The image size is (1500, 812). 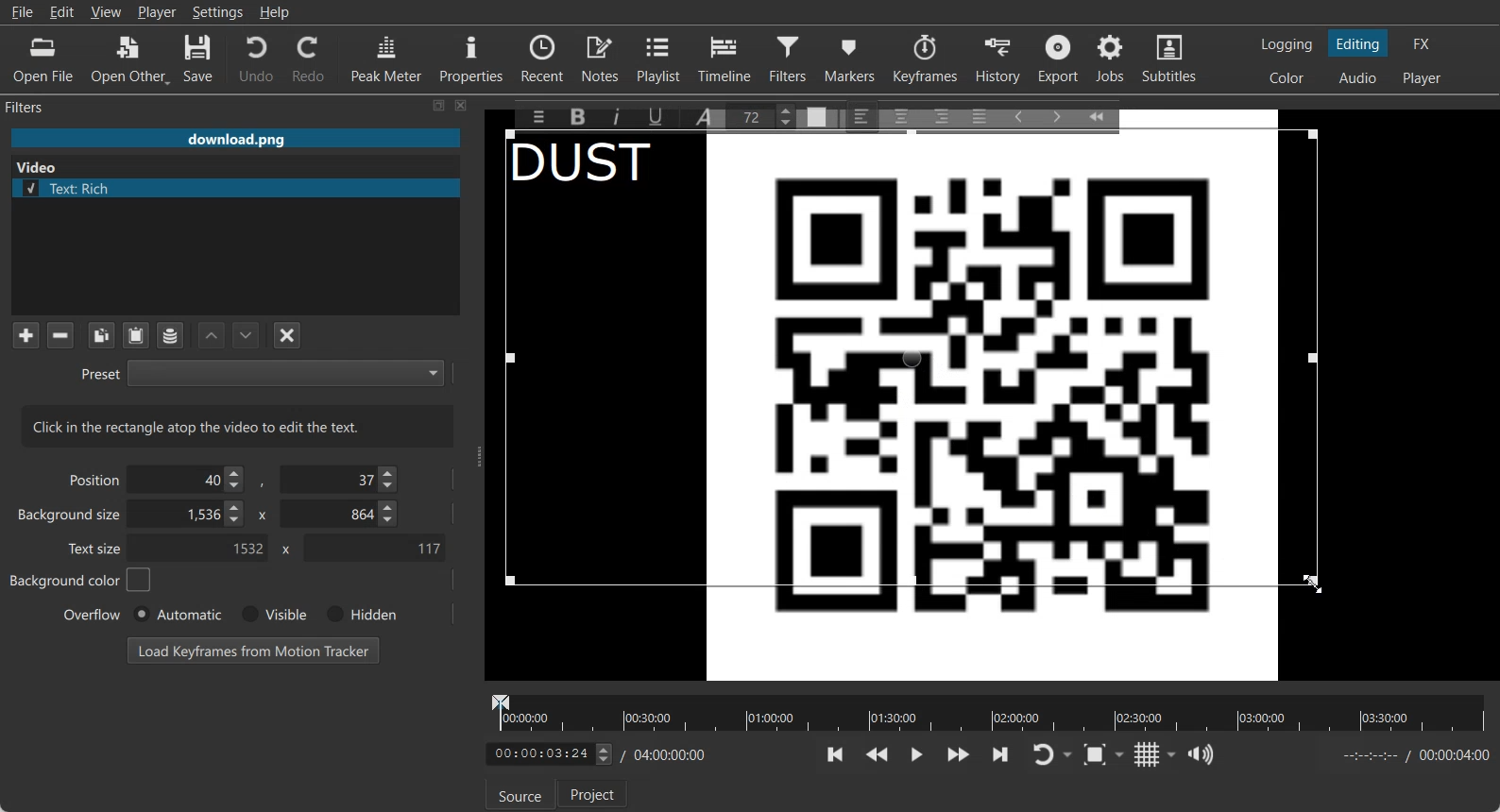 What do you see at coordinates (576, 117) in the screenshot?
I see `Bold` at bounding box center [576, 117].